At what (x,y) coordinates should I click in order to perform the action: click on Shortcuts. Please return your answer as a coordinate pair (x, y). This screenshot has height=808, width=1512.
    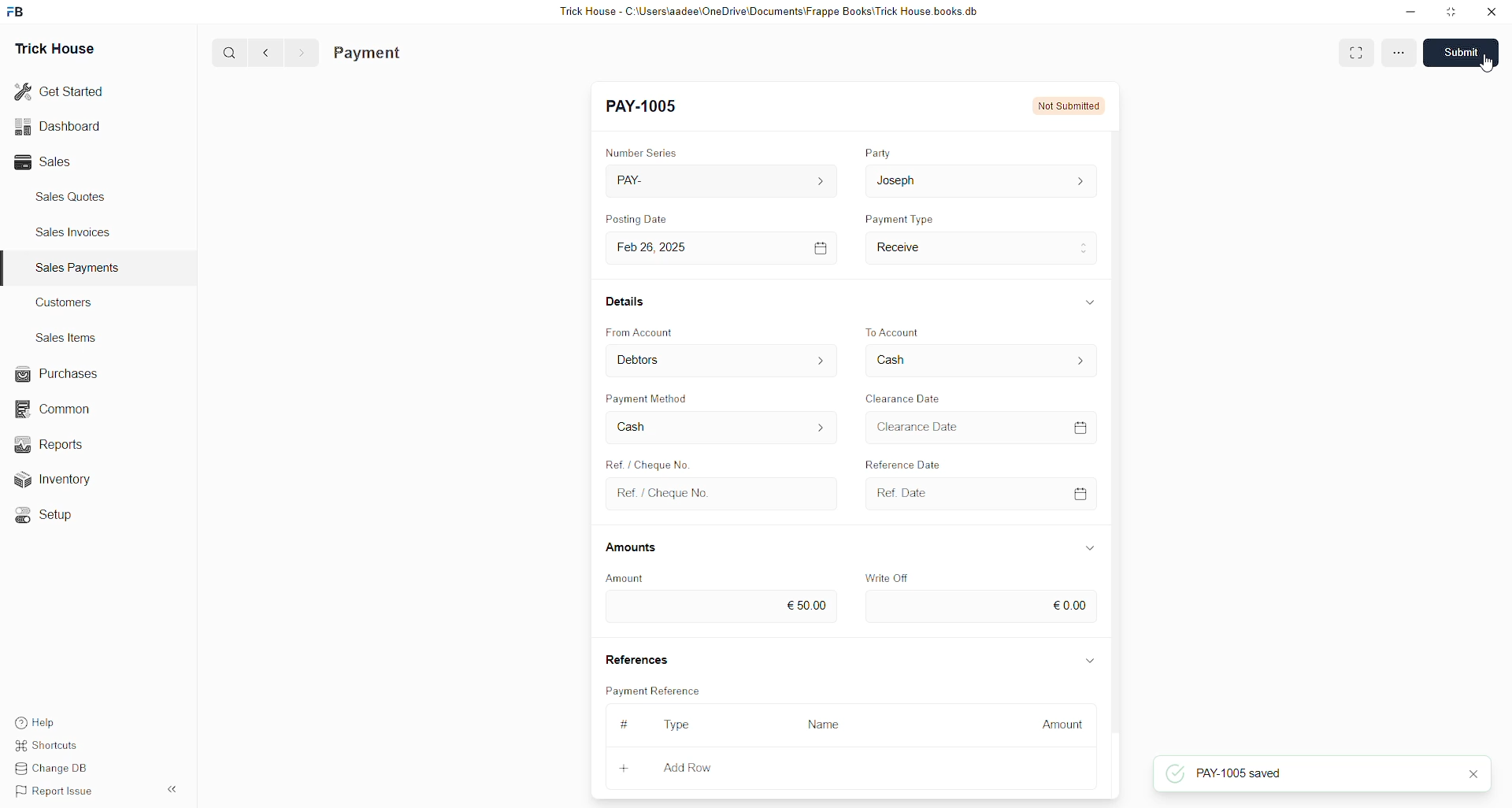
    Looking at the image, I should click on (53, 743).